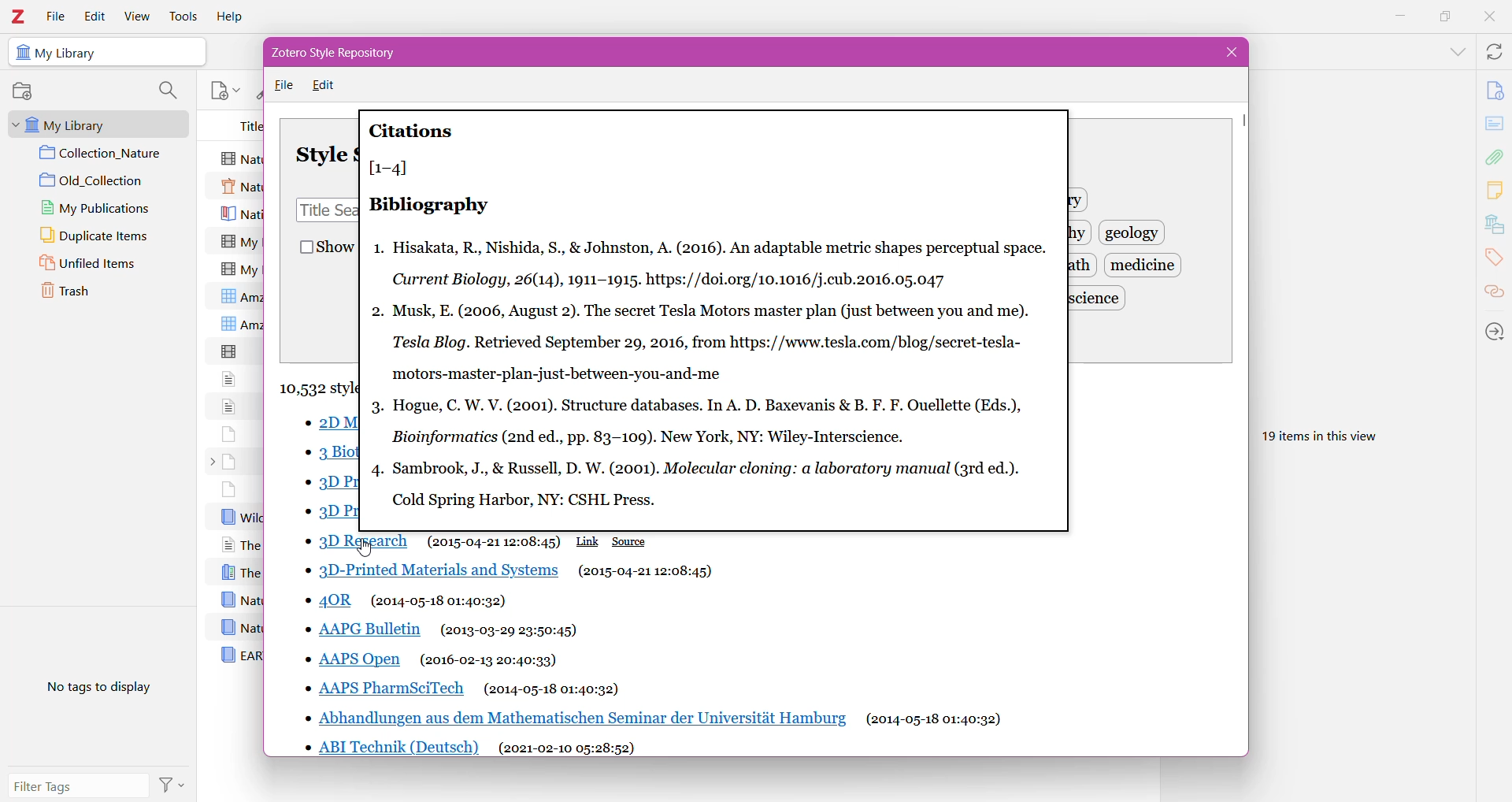 The image size is (1512, 802). I want to click on No tags to display, so click(94, 691).